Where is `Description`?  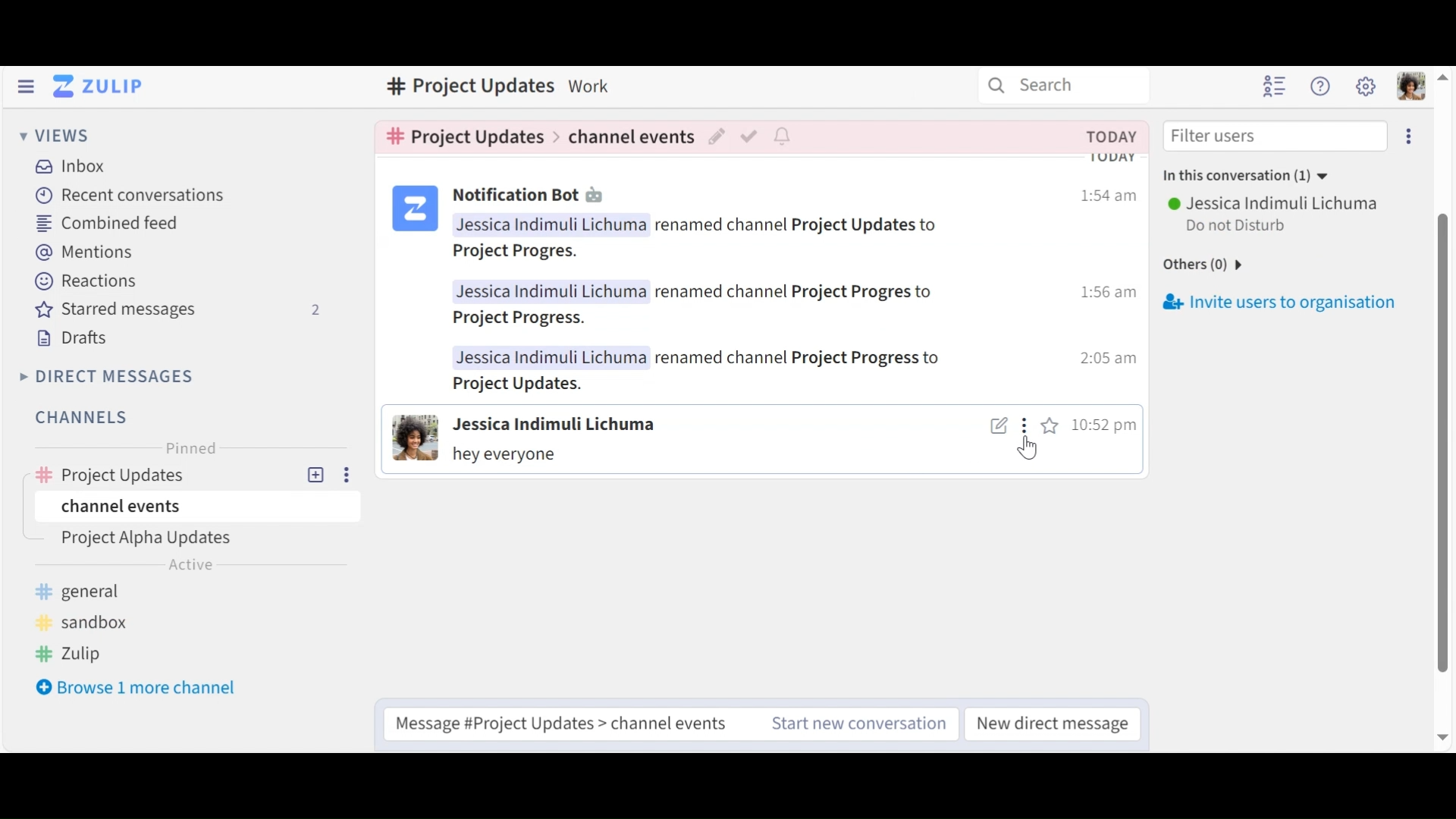 Description is located at coordinates (593, 85).